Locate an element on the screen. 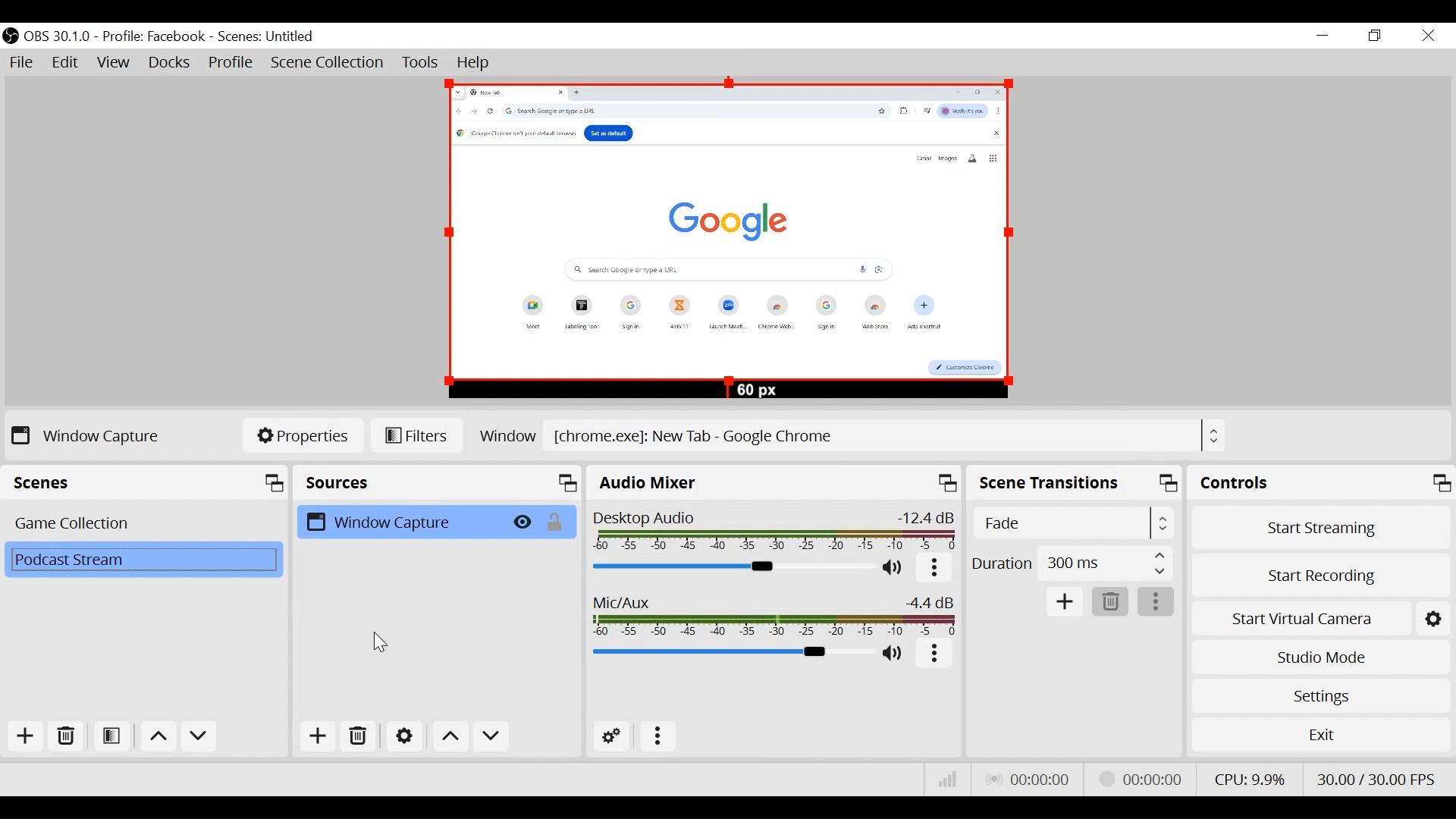 This screenshot has height=819, width=1456. Mic/Aux is located at coordinates (731, 652).